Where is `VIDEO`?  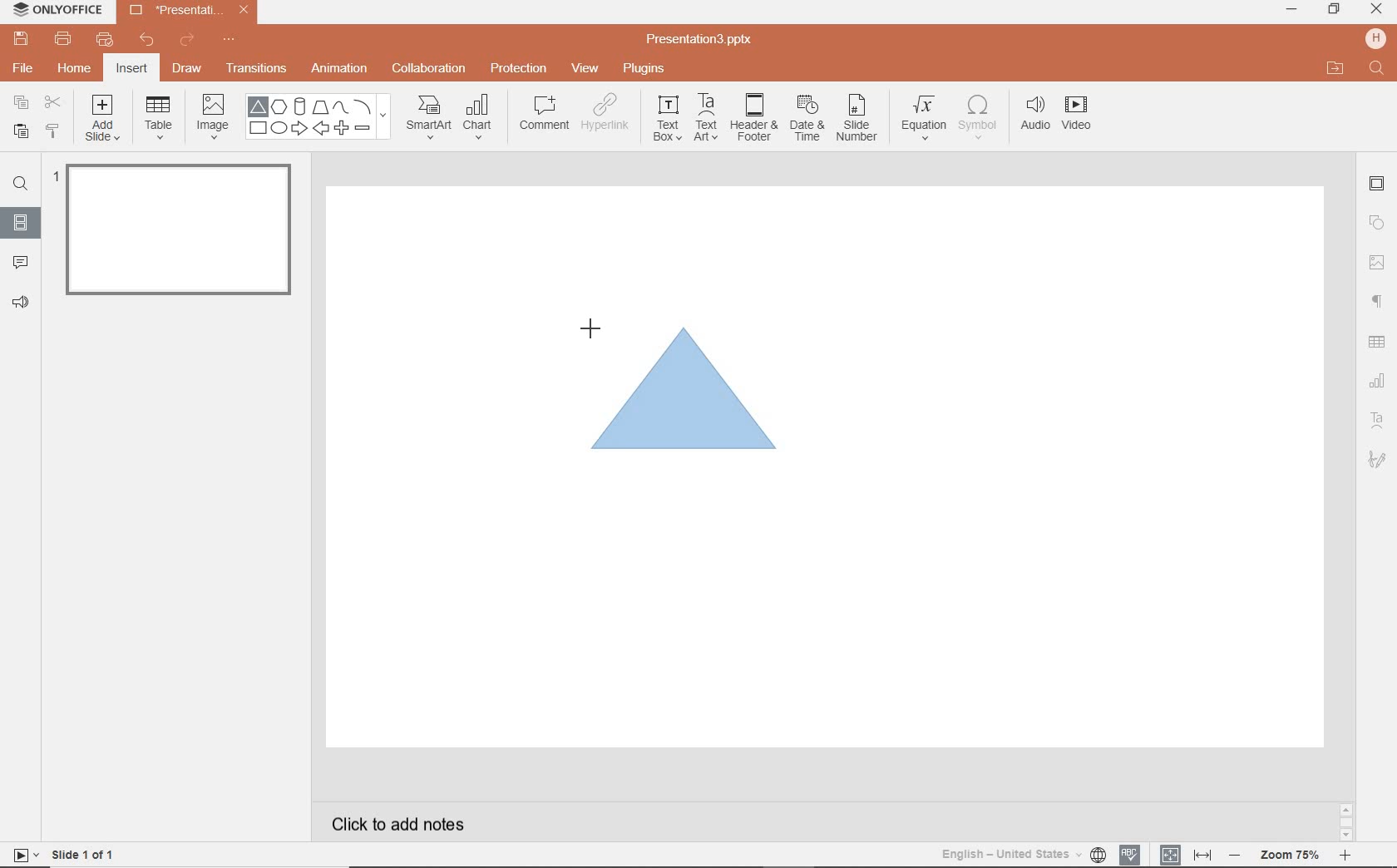
VIDEO is located at coordinates (1082, 116).